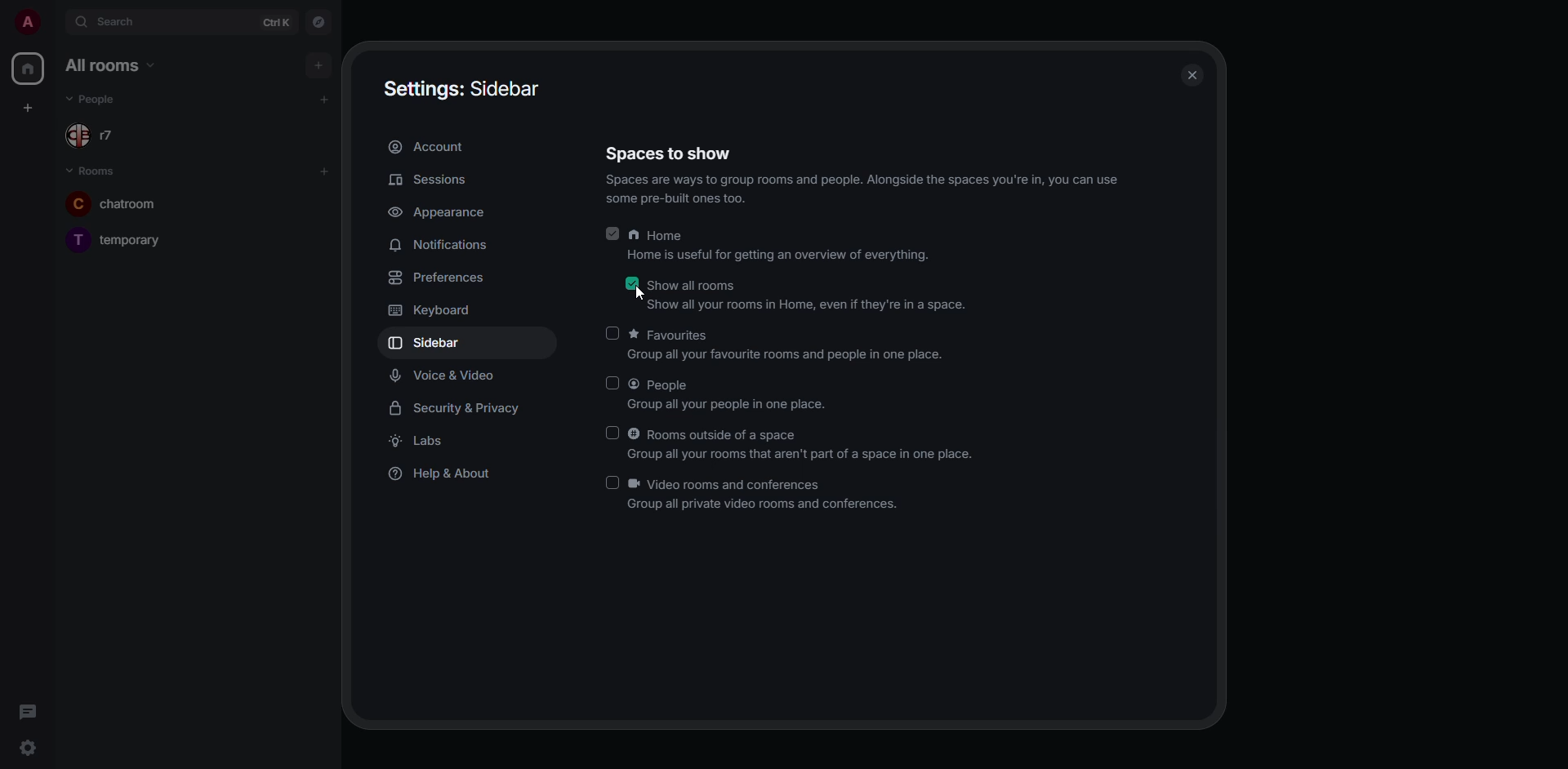 This screenshot has width=1568, height=769. I want to click on click to enable, so click(608, 383).